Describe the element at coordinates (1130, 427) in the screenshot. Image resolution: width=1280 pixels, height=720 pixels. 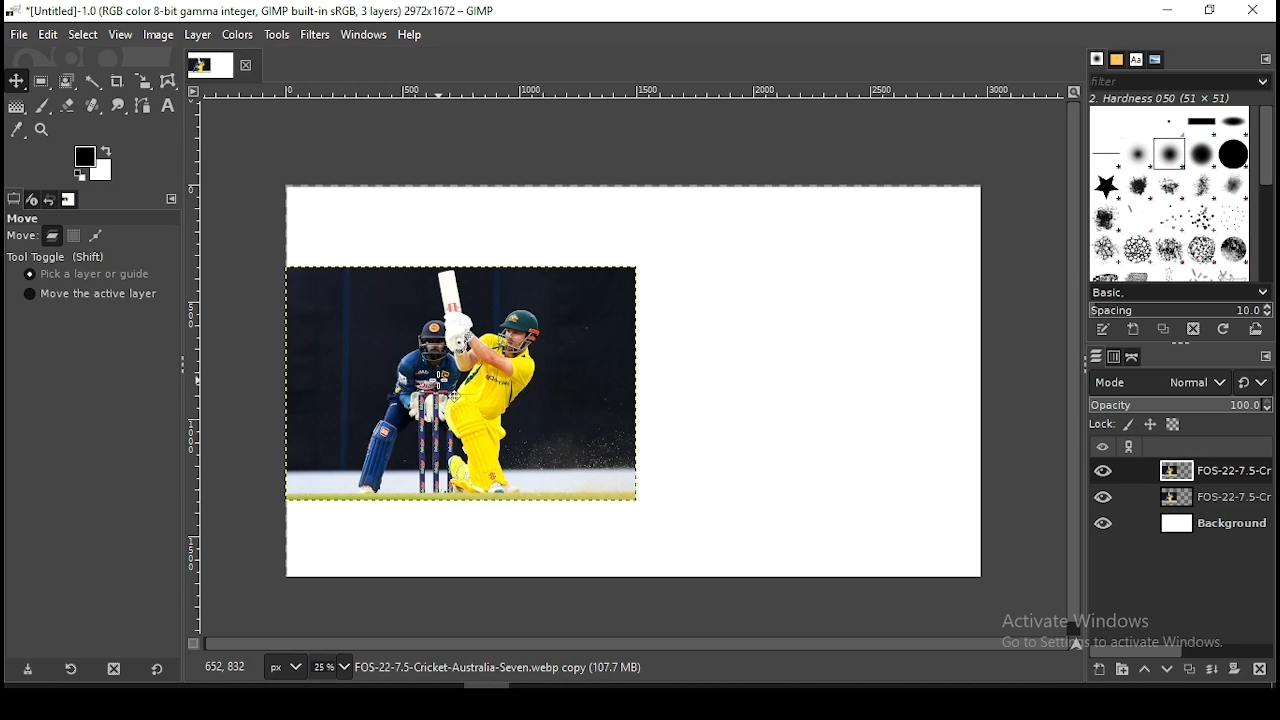
I see `lock pixels` at that location.